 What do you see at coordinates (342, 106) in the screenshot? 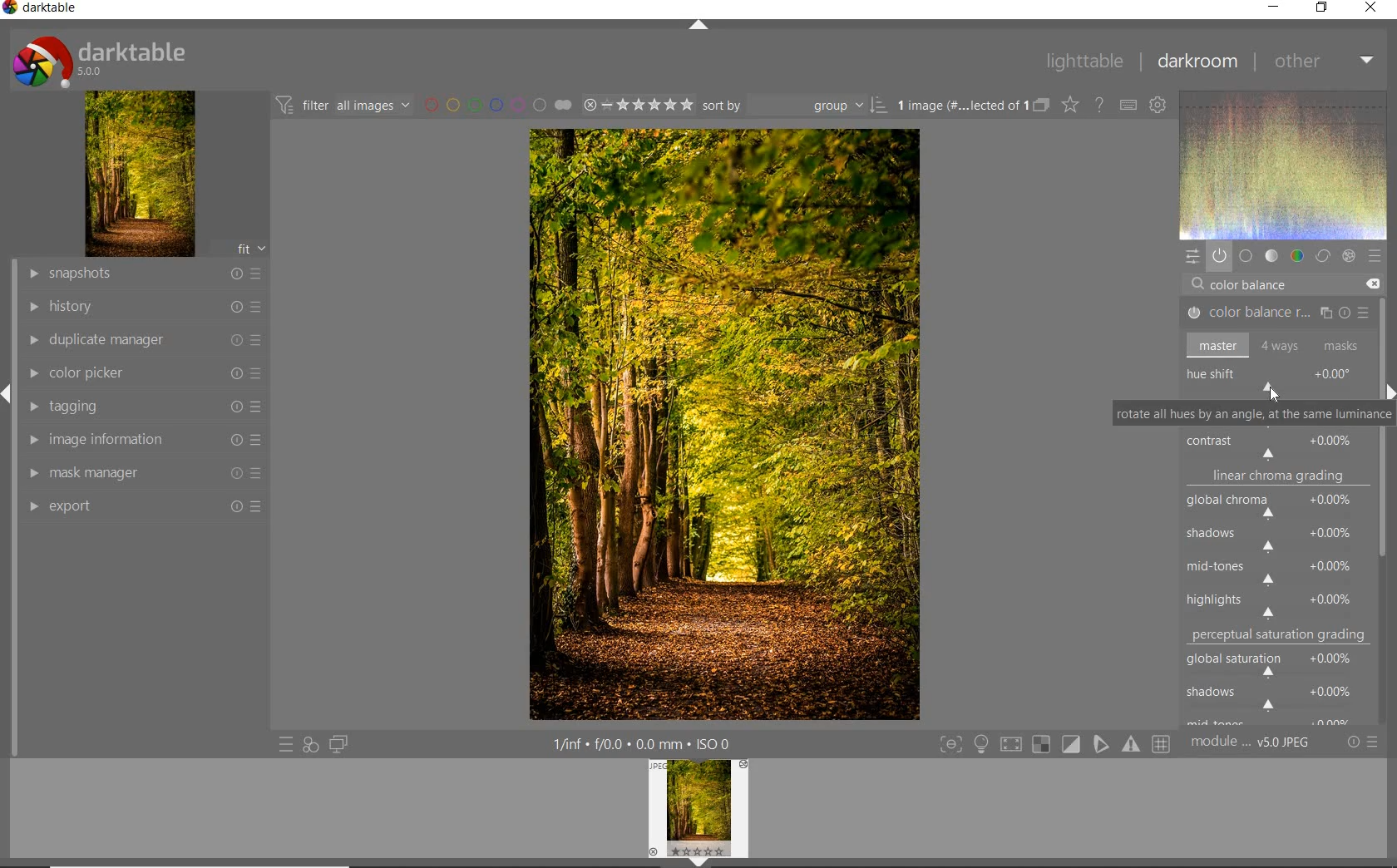
I see `filter images` at bounding box center [342, 106].